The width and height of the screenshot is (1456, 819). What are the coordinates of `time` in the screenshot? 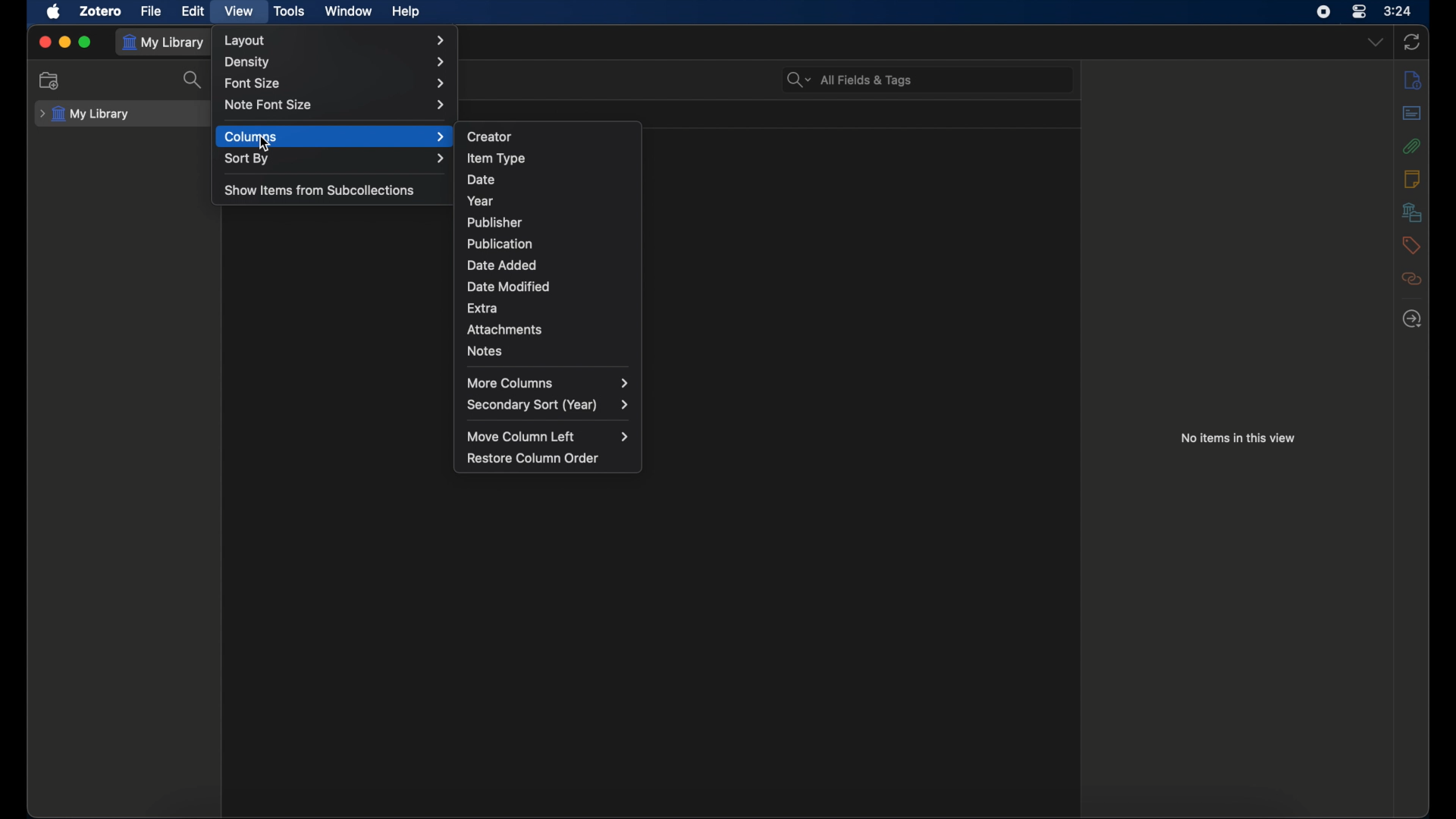 It's located at (1398, 11).